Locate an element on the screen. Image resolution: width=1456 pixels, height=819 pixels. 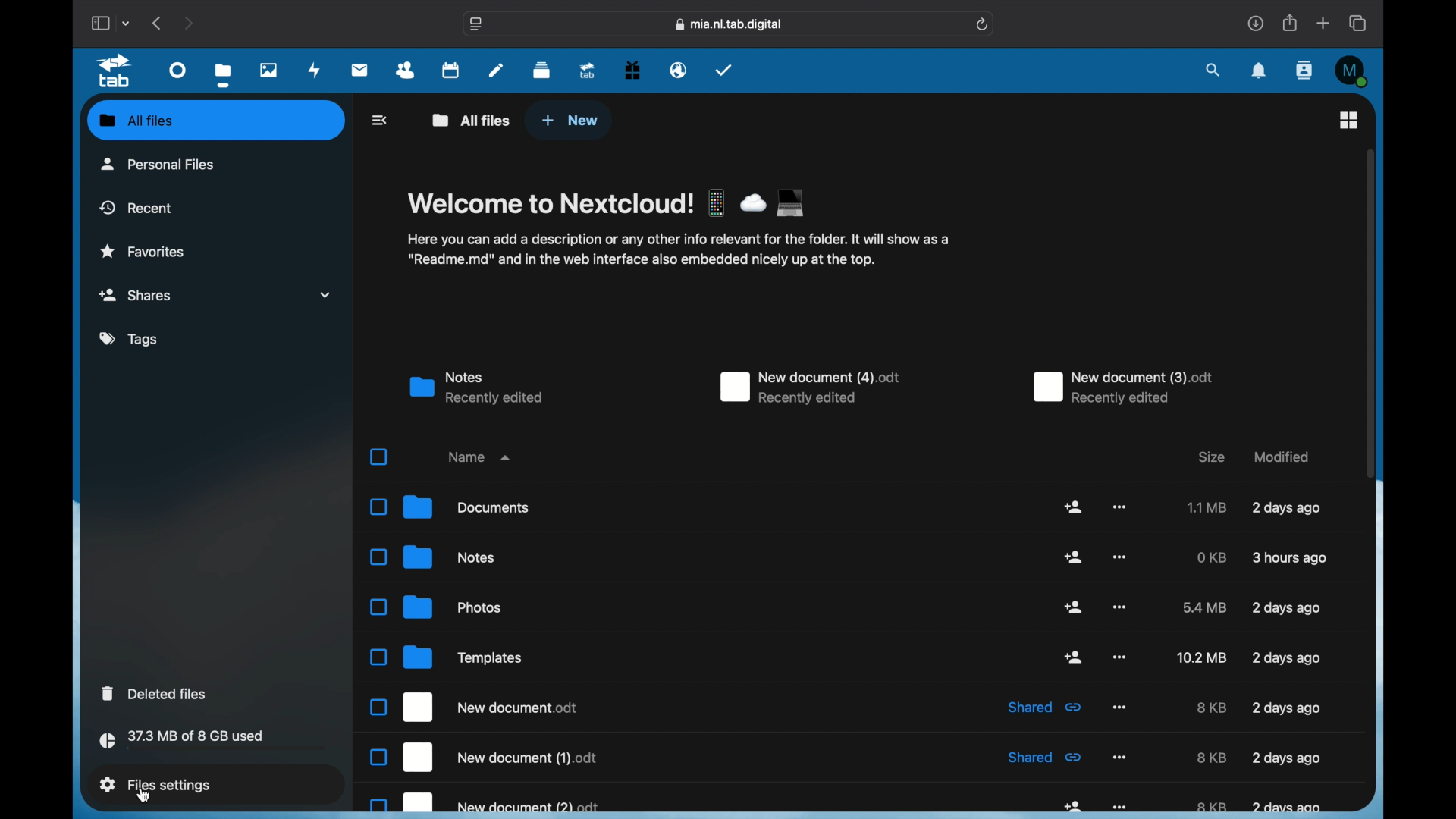
contacts is located at coordinates (406, 69).